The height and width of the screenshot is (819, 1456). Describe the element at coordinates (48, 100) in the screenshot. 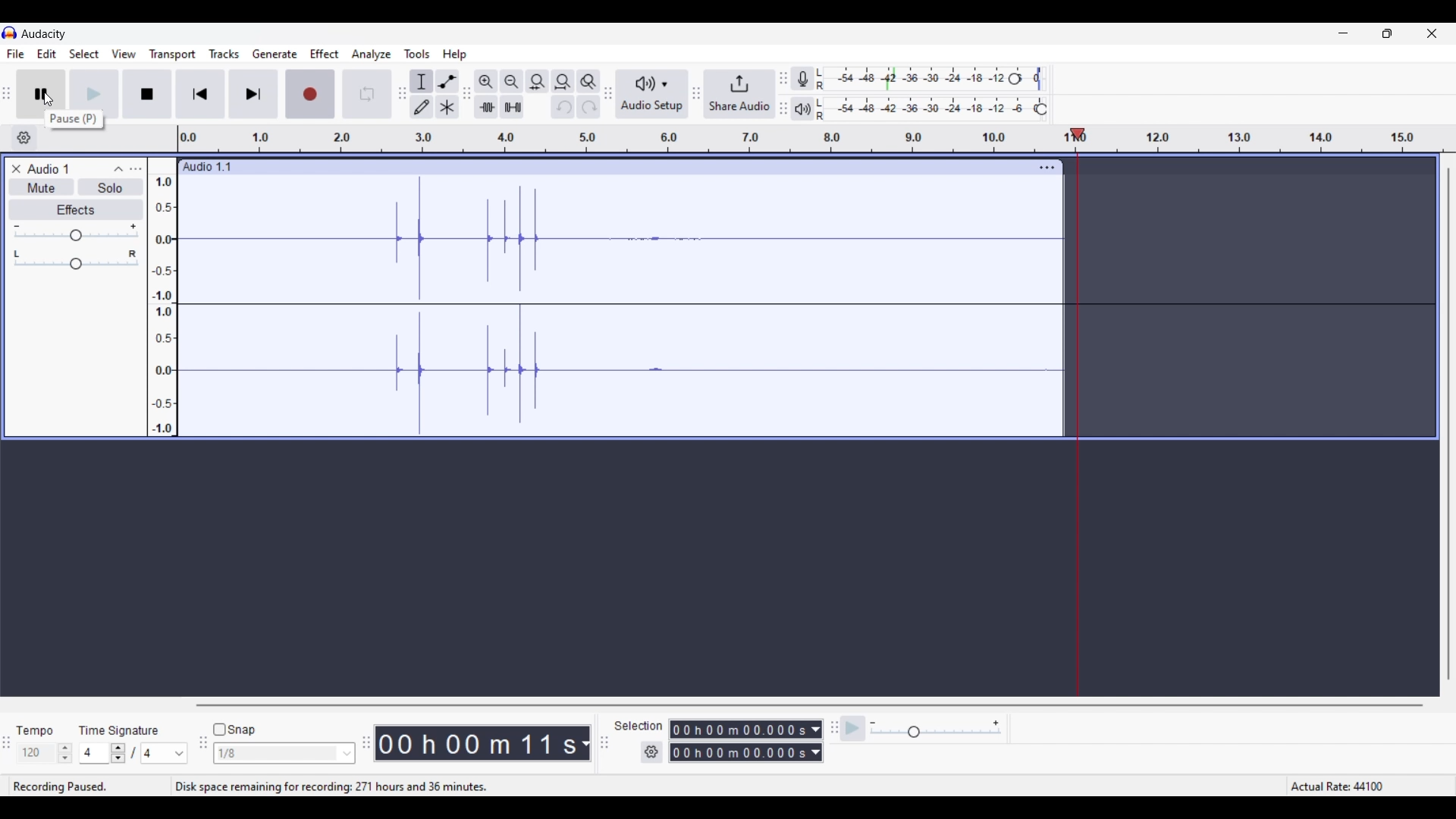

I see `Cursor clicking on pause` at that location.